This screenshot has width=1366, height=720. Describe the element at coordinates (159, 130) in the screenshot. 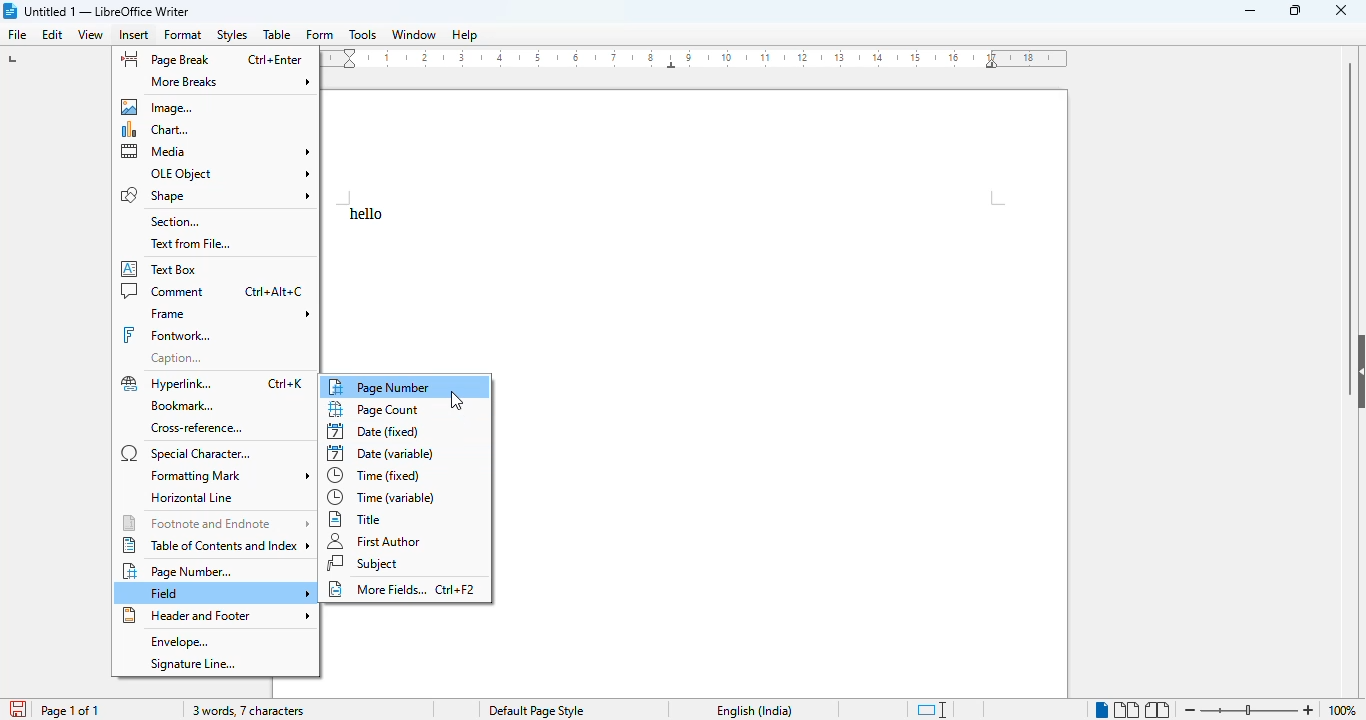

I see `chart` at that location.